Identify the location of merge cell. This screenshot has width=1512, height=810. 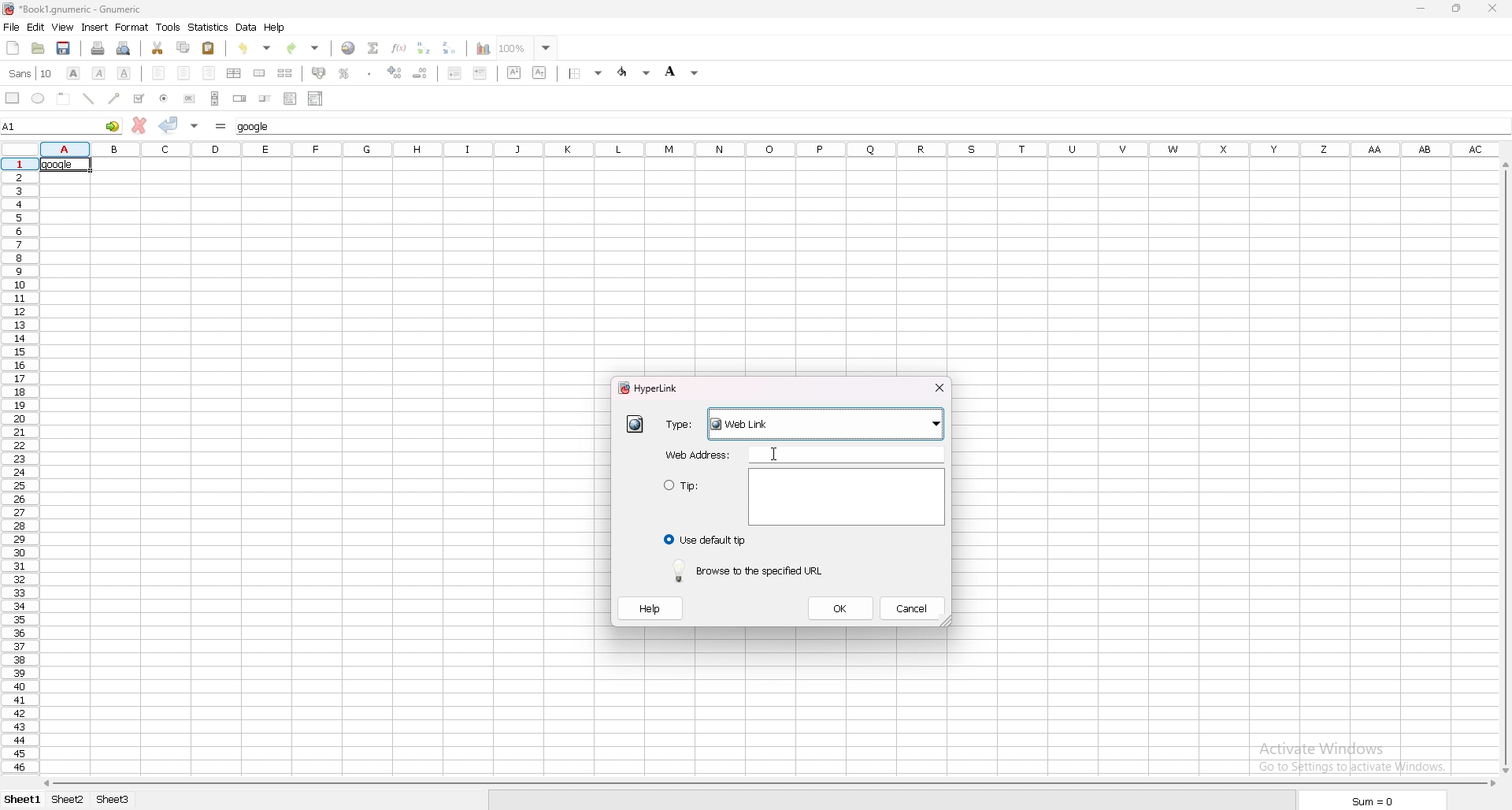
(261, 73).